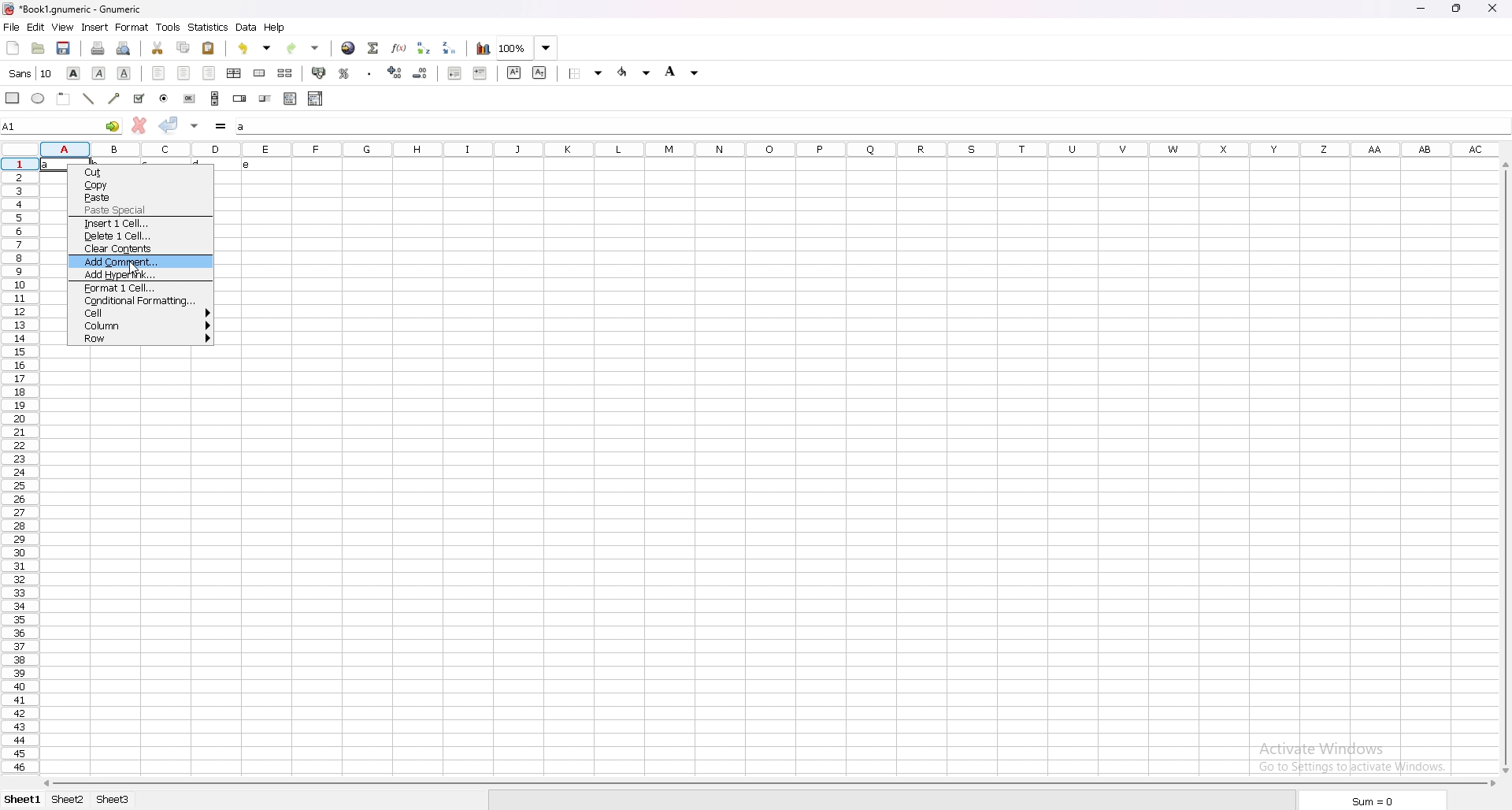  What do you see at coordinates (141, 197) in the screenshot?
I see `paste` at bounding box center [141, 197].